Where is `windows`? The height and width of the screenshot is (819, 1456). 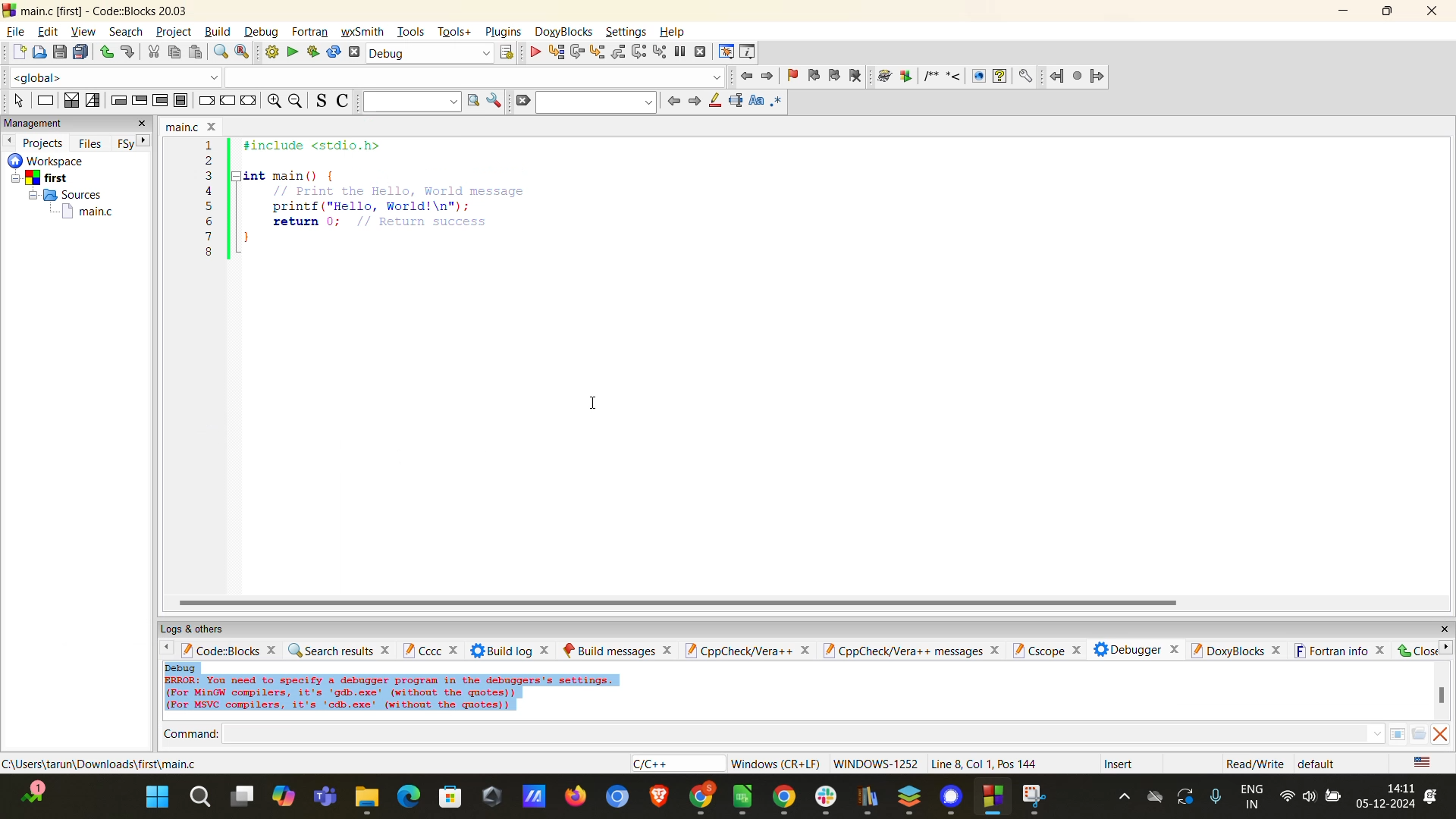
windows is located at coordinates (995, 797).